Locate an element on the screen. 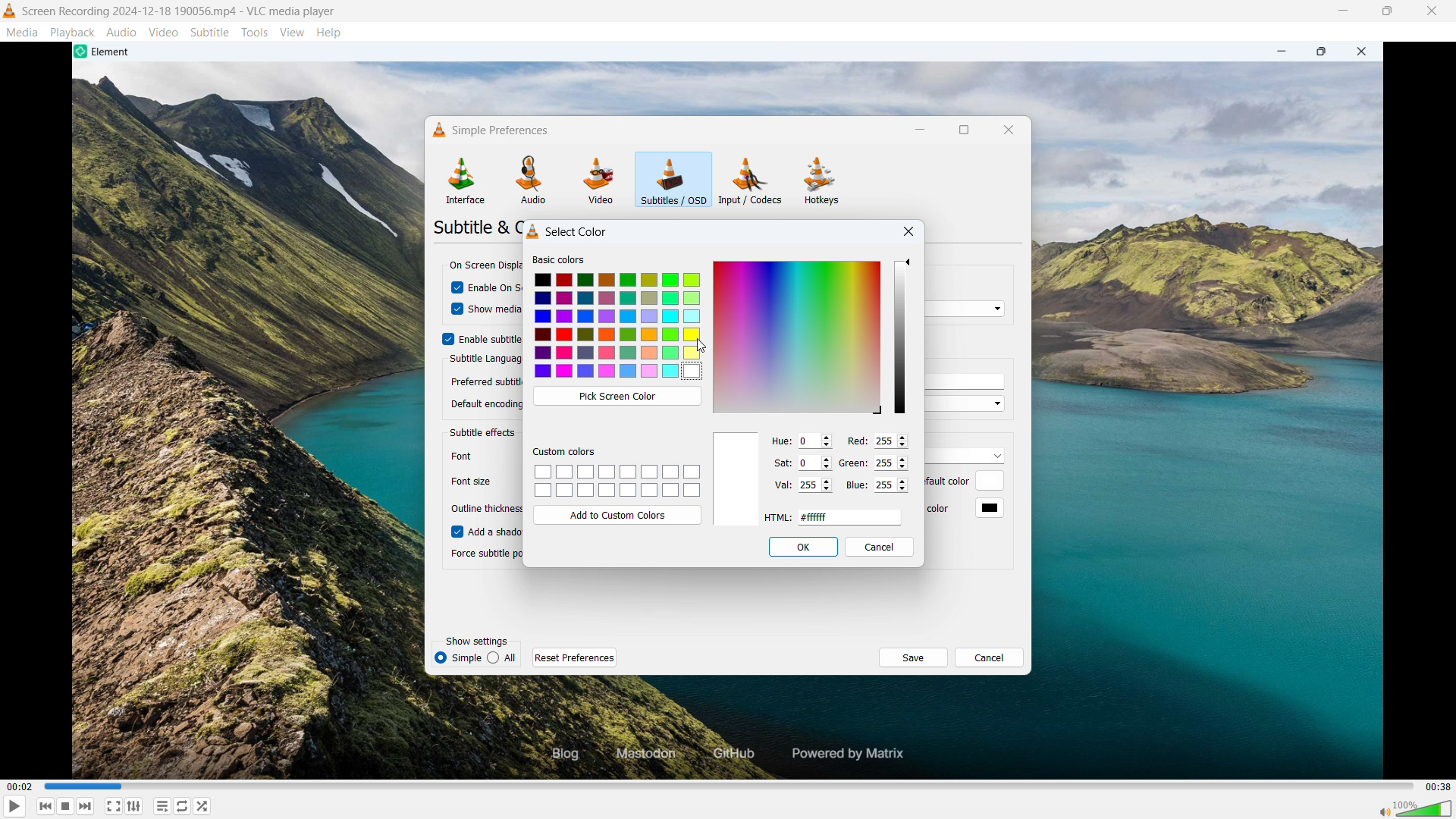 This screenshot has height=819, width=1456. Custom colour palettes to be saved  is located at coordinates (617, 481).